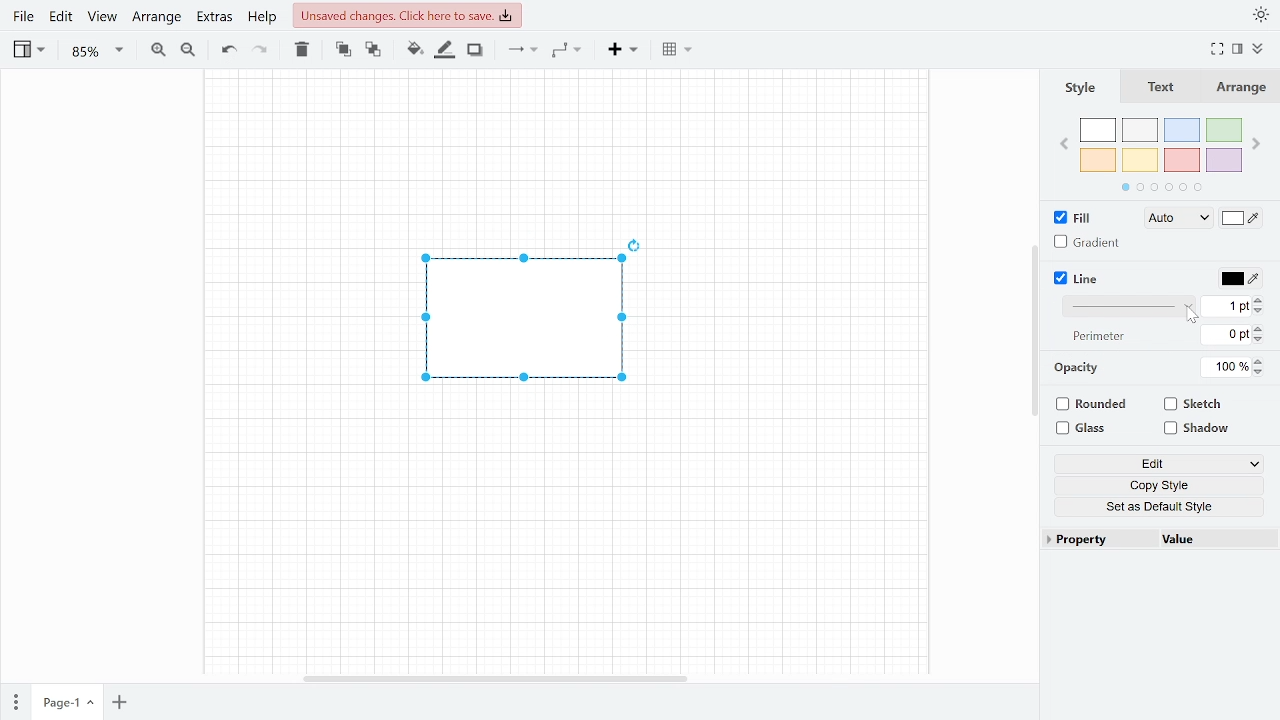 This screenshot has width=1280, height=720. Describe the element at coordinates (1160, 465) in the screenshot. I see `Edit` at that location.